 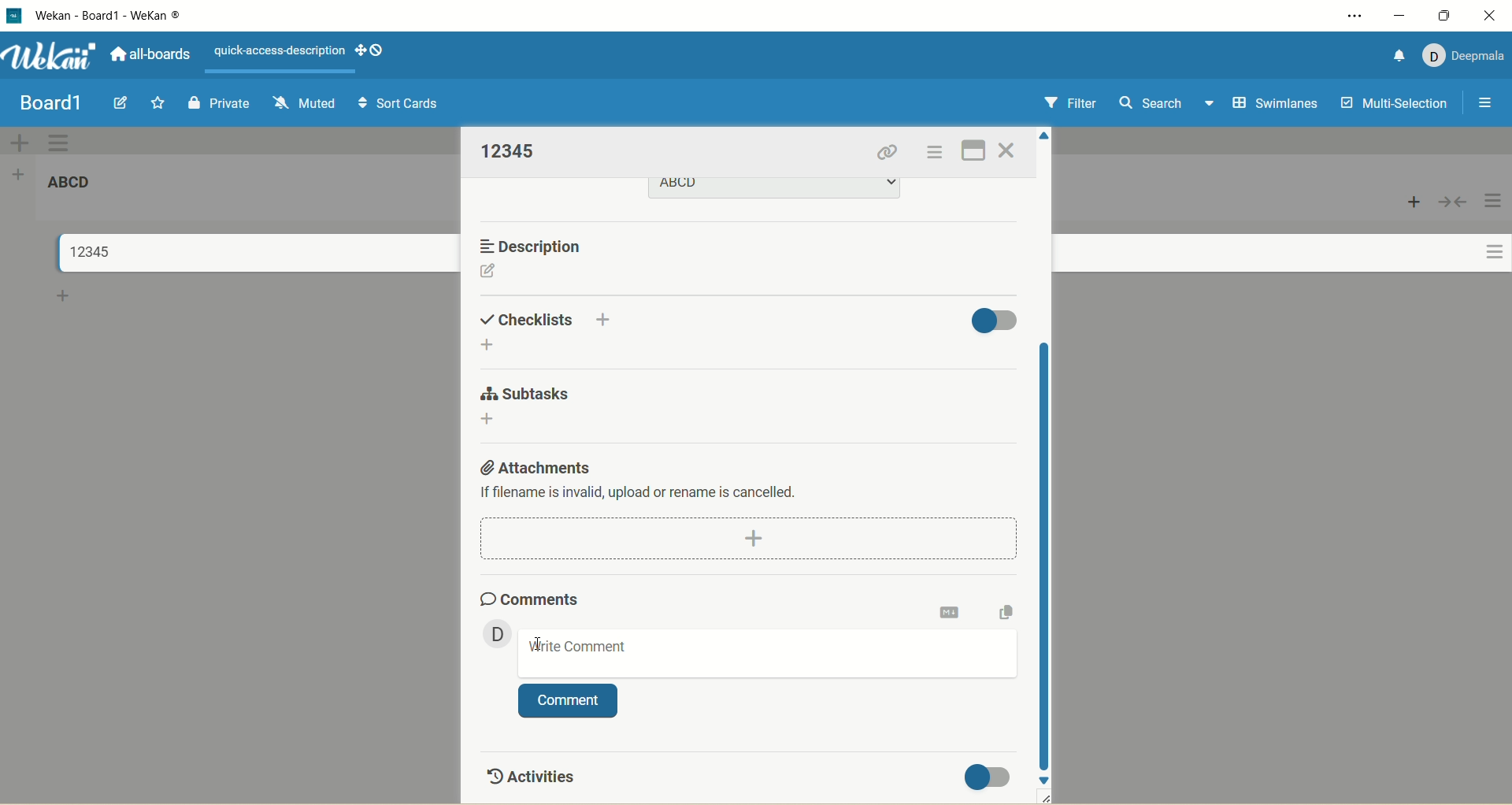 What do you see at coordinates (932, 155) in the screenshot?
I see `actions` at bounding box center [932, 155].